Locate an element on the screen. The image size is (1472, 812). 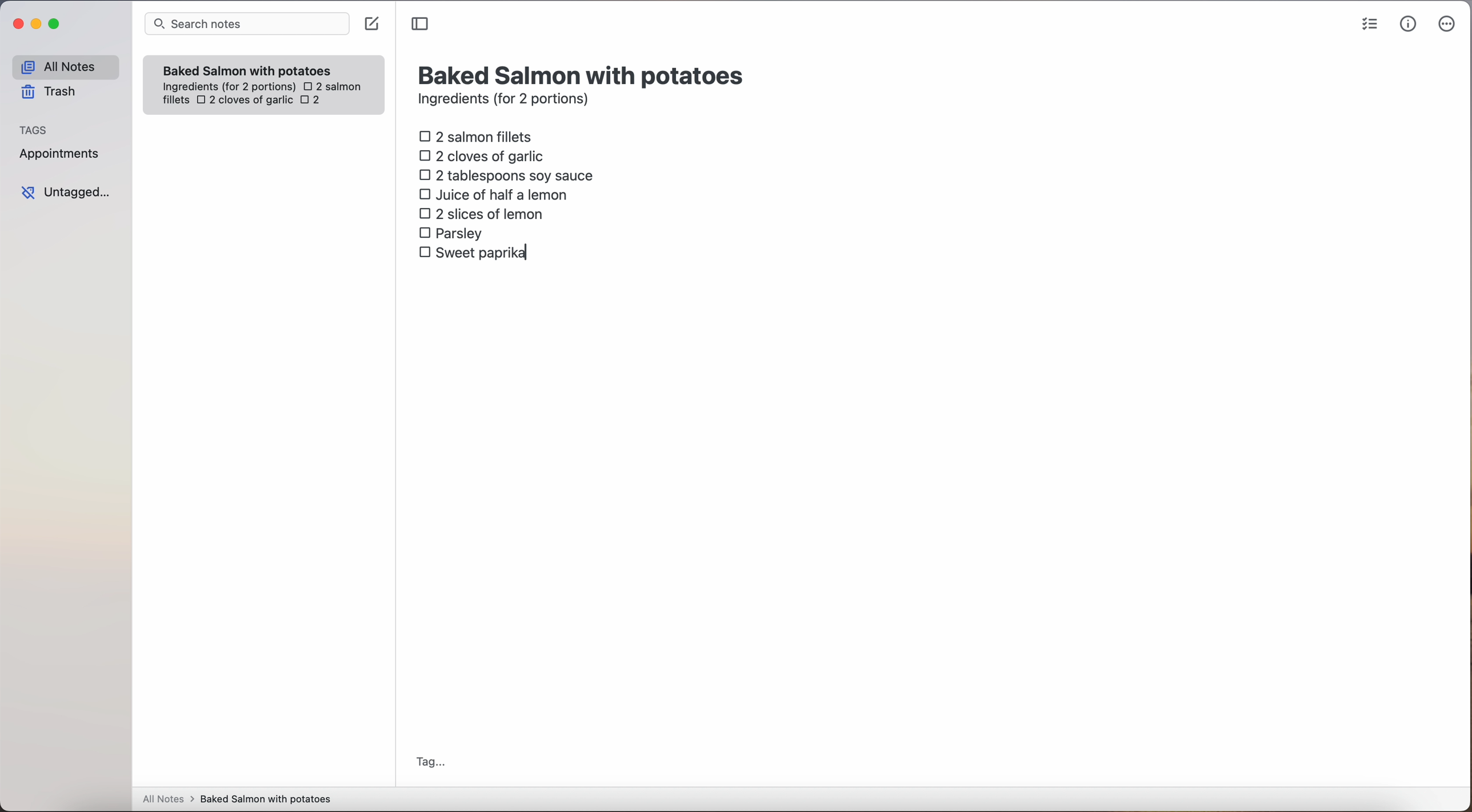
close Simplenote is located at coordinates (17, 25).